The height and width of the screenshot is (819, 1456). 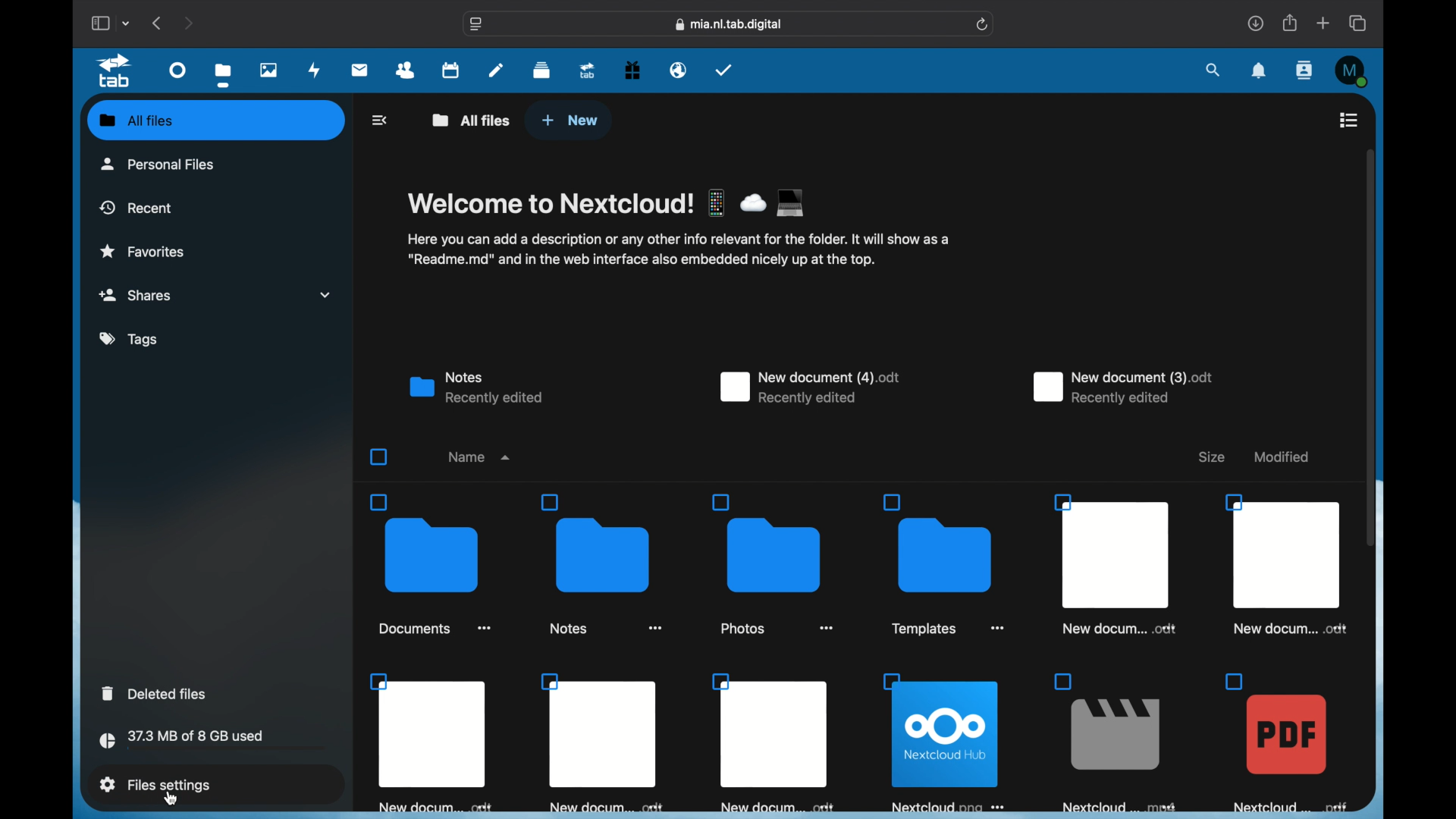 I want to click on downloads, so click(x=1256, y=23).